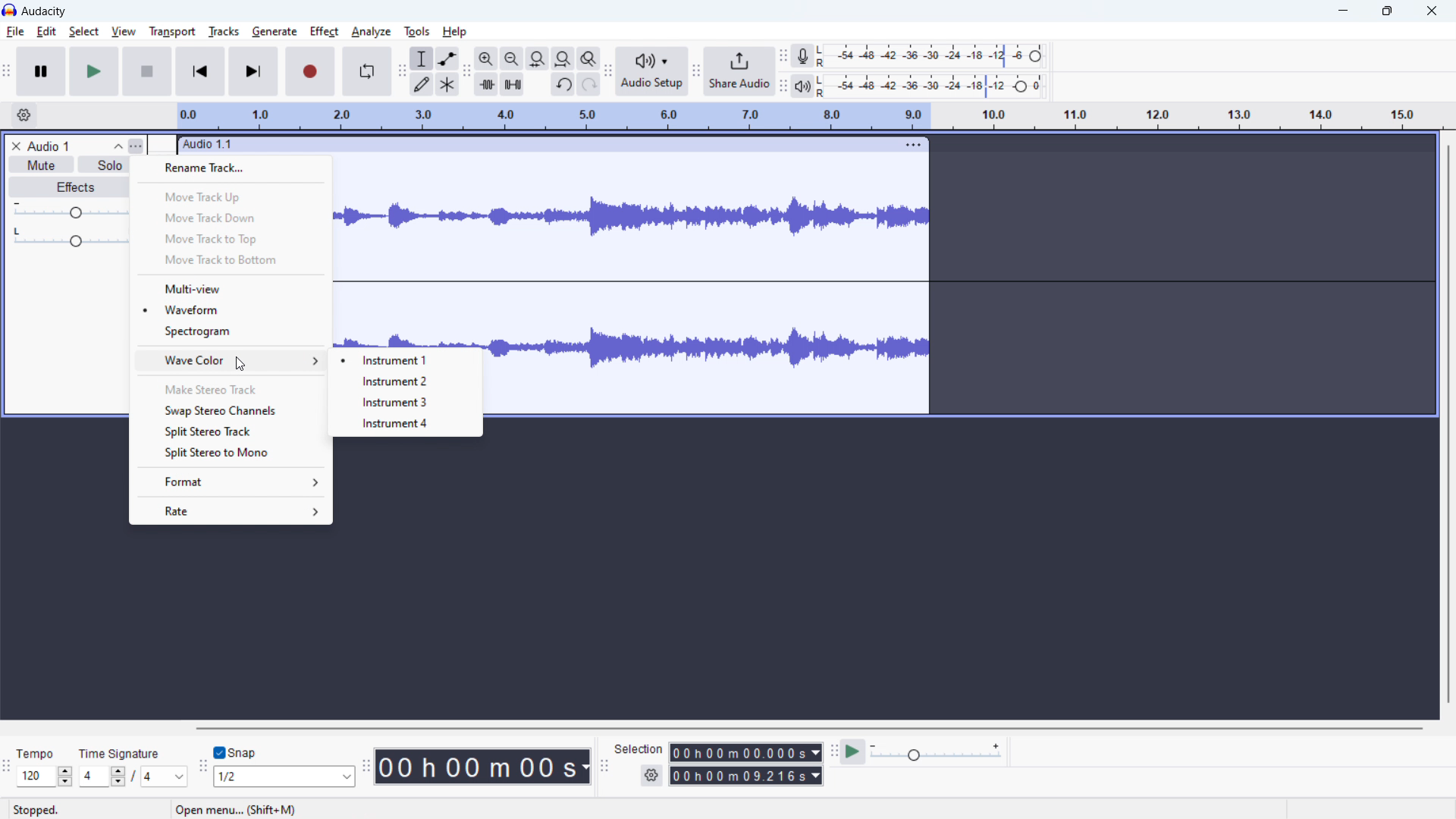  Describe the element at coordinates (513, 84) in the screenshot. I see `silence audio selection` at that location.